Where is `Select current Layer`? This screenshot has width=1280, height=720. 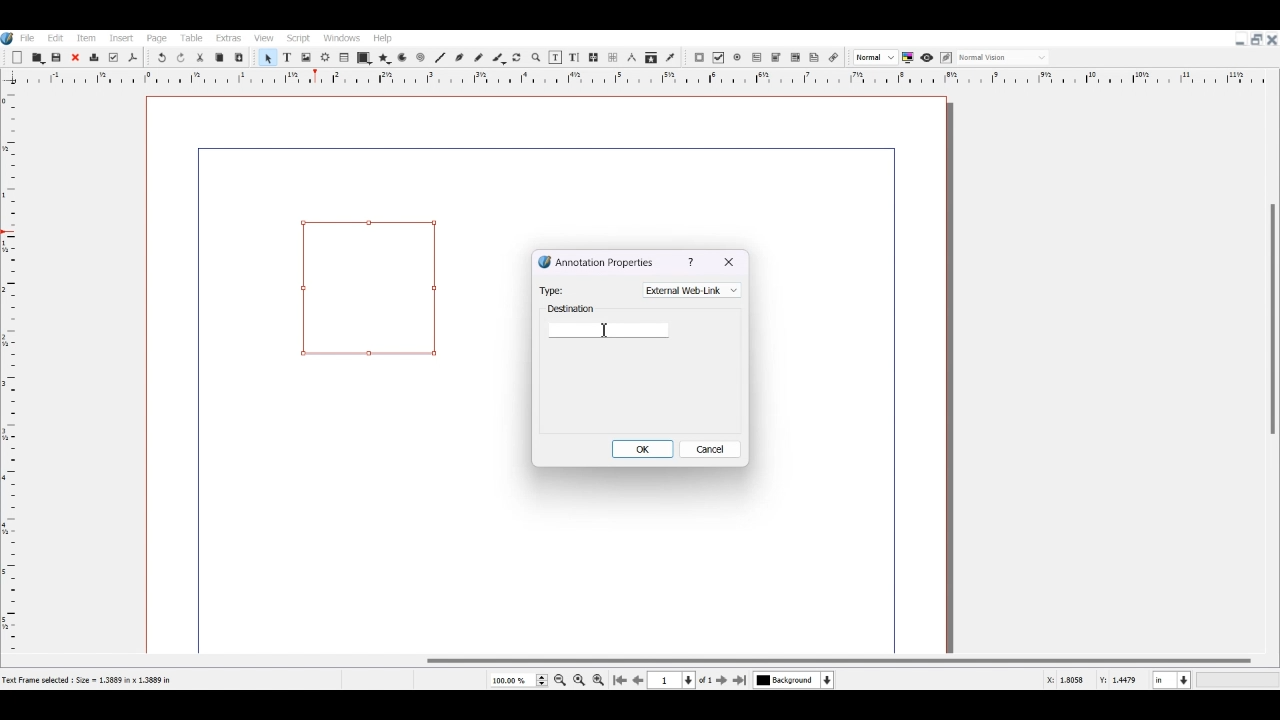
Select current Layer is located at coordinates (796, 681).